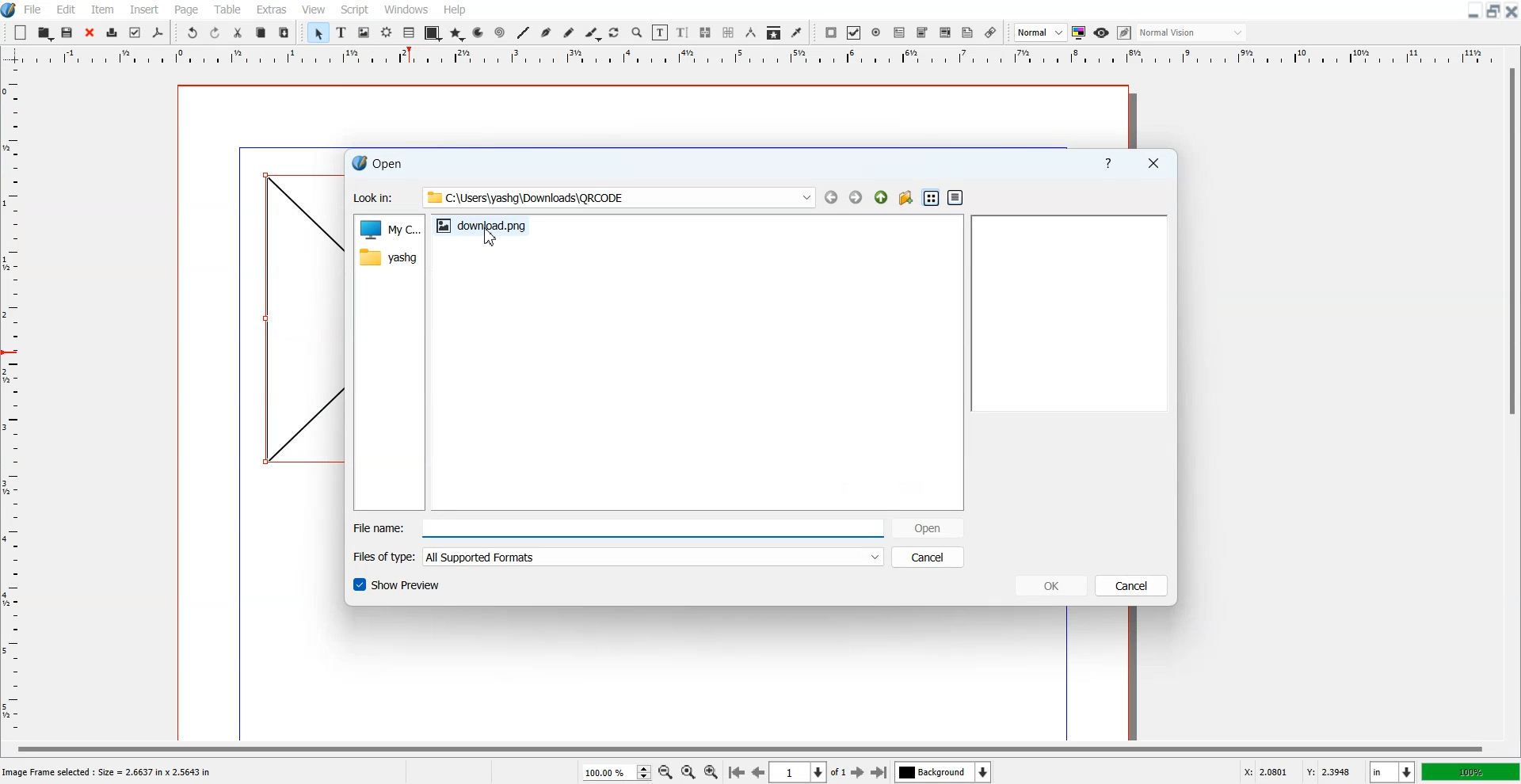 The image size is (1521, 784). I want to click on File Overview, so click(1069, 313).